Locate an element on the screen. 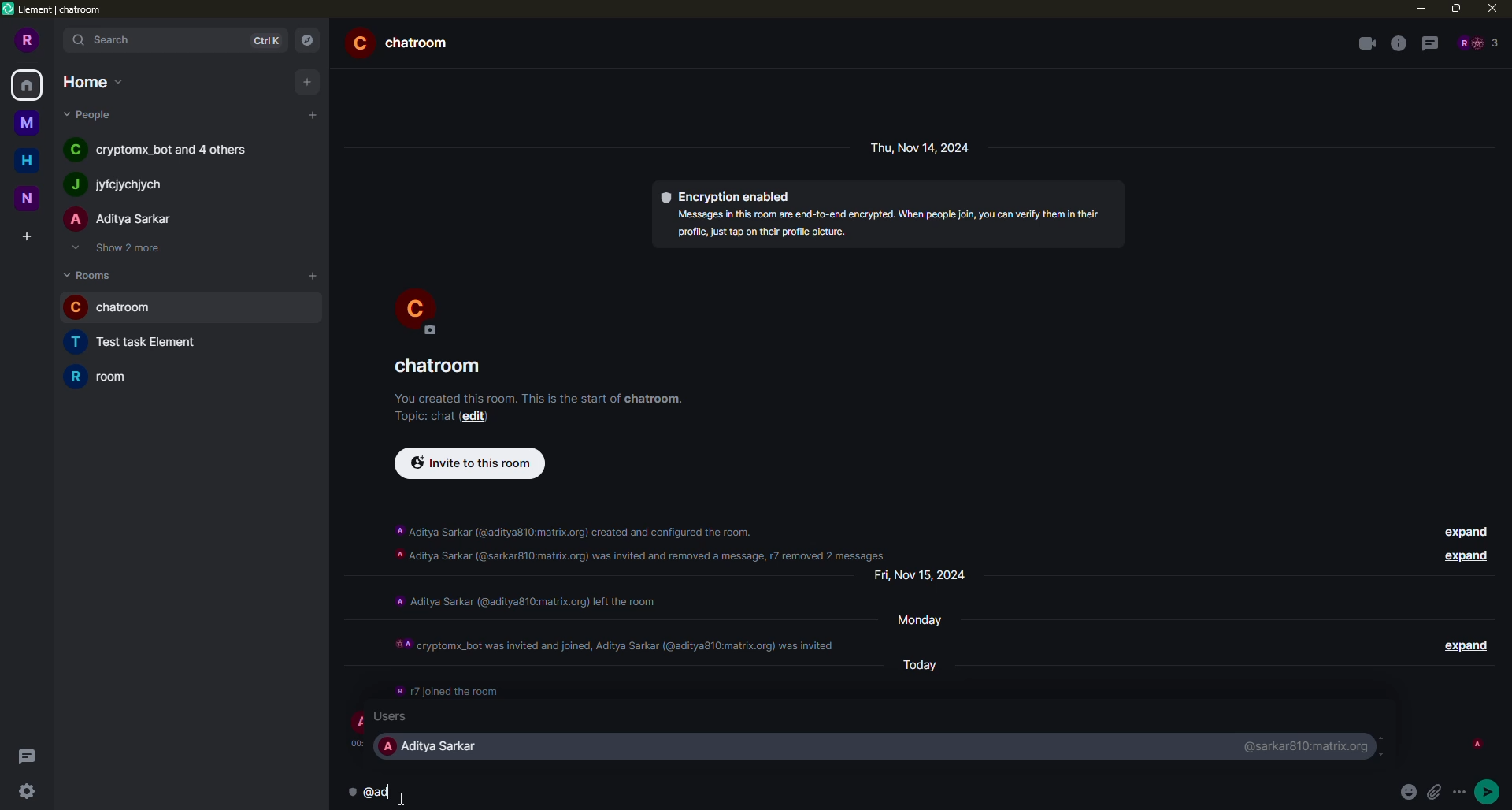 The image size is (1512, 810). people is located at coordinates (164, 151).